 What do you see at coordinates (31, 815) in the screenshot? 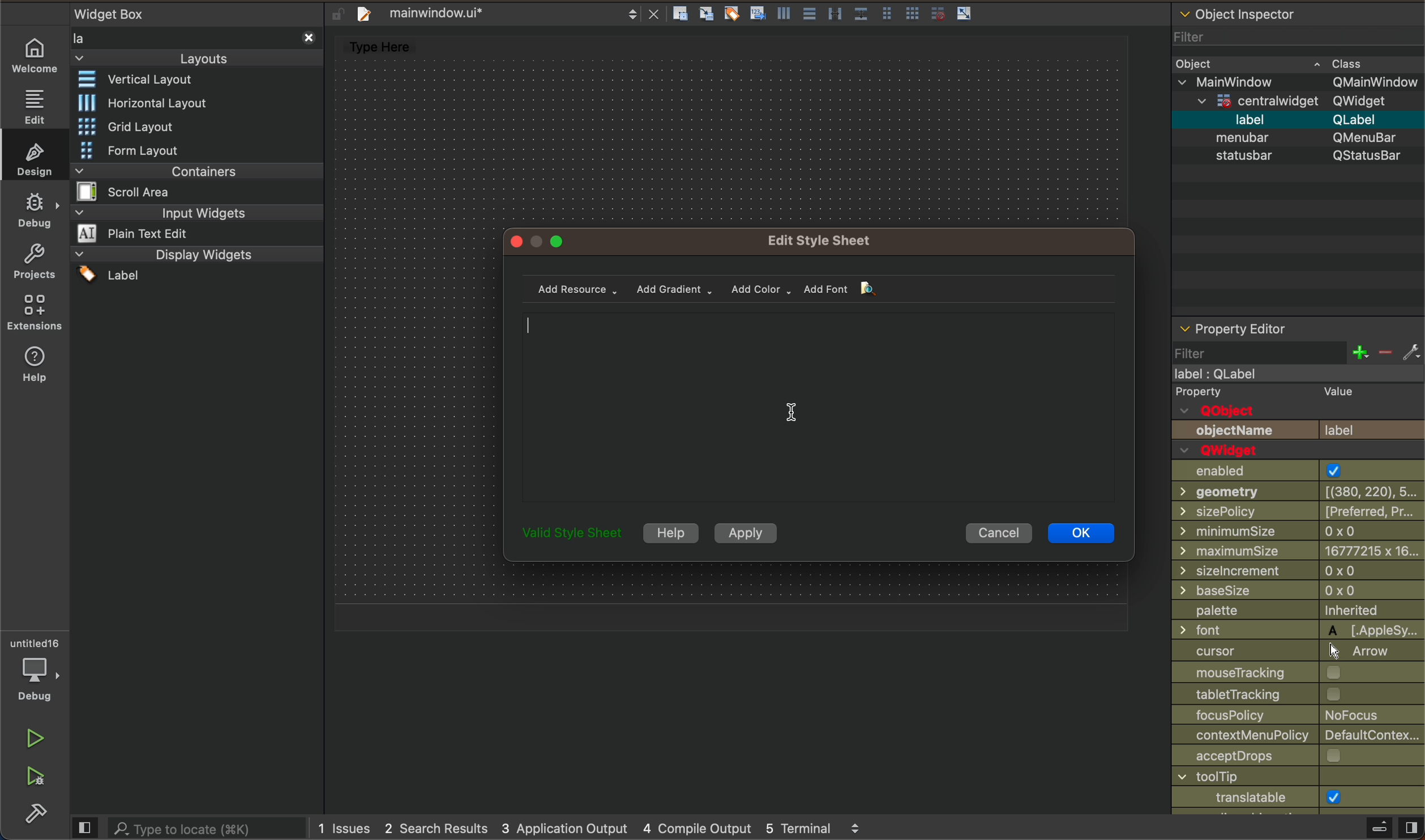
I see `build` at bounding box center [31, 815].